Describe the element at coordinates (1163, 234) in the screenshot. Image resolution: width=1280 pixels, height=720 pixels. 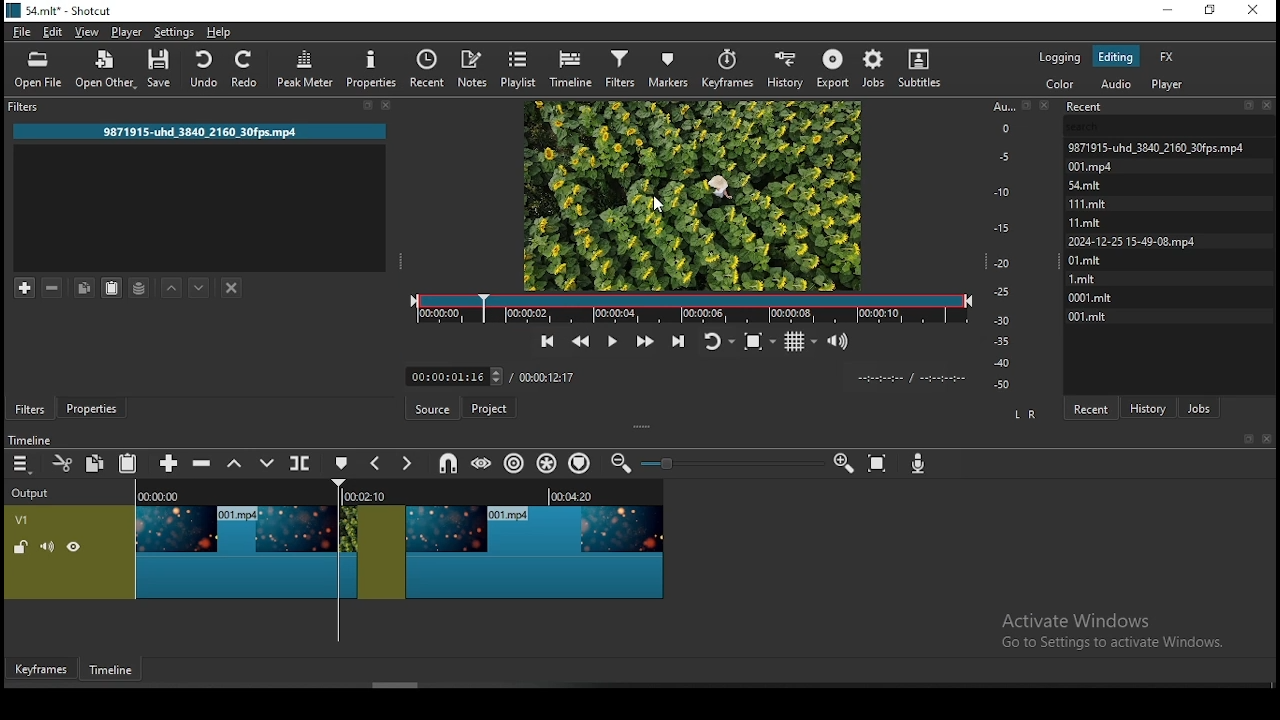
I see `9871915-uhdl 3840_2160_30fps.mp4.
001mp4.
amit
mit
mit
2024-12-25 15-49-08.mpd.
| otmit
mit
000T.mit
o0tmit` at that location.